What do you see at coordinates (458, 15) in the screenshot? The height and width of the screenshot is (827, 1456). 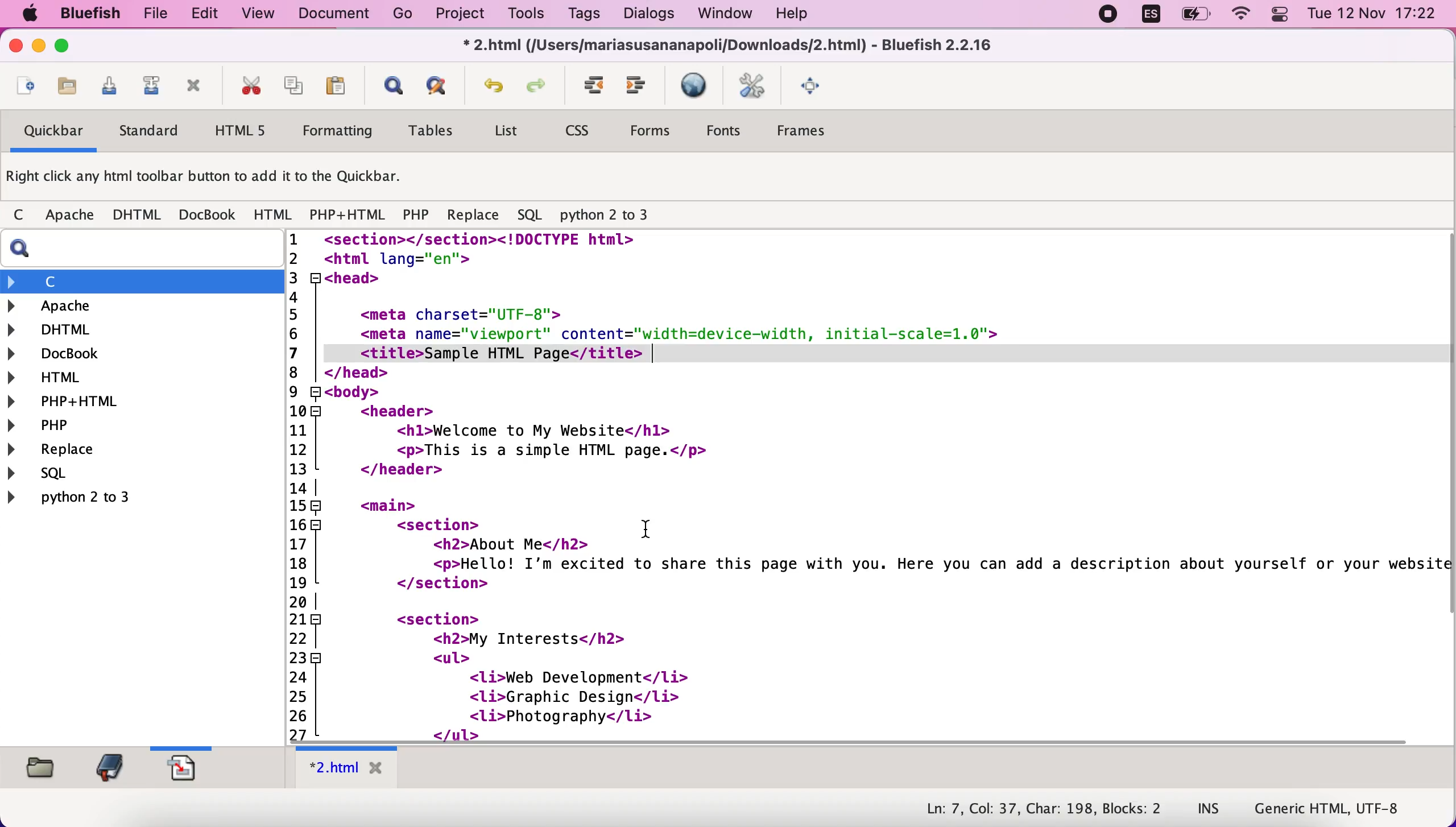 I see `project` at bounding box center [458, 15].